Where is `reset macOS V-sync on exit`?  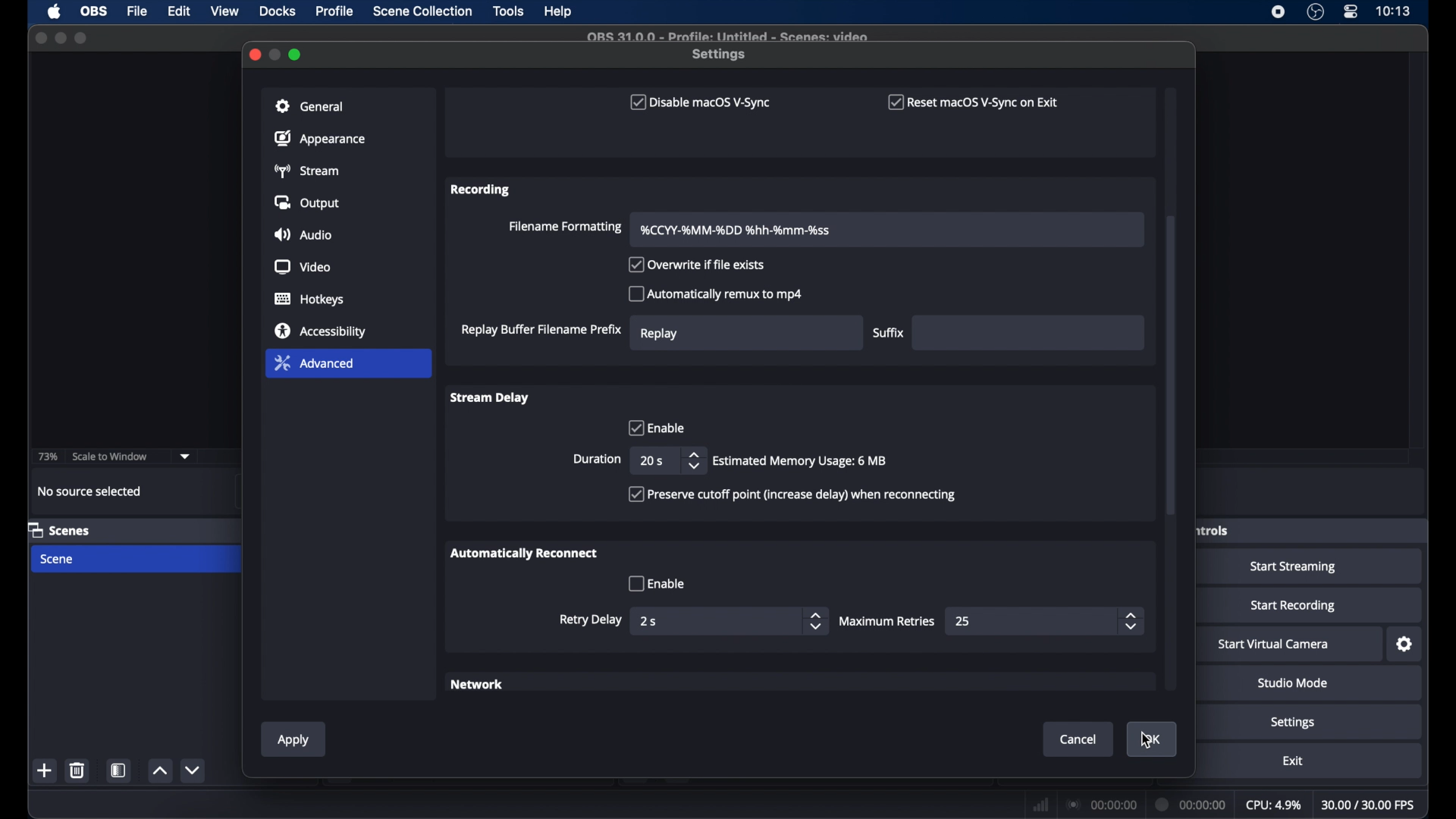 reset macOS V-sync on exit is located at coordinates (974, 102).